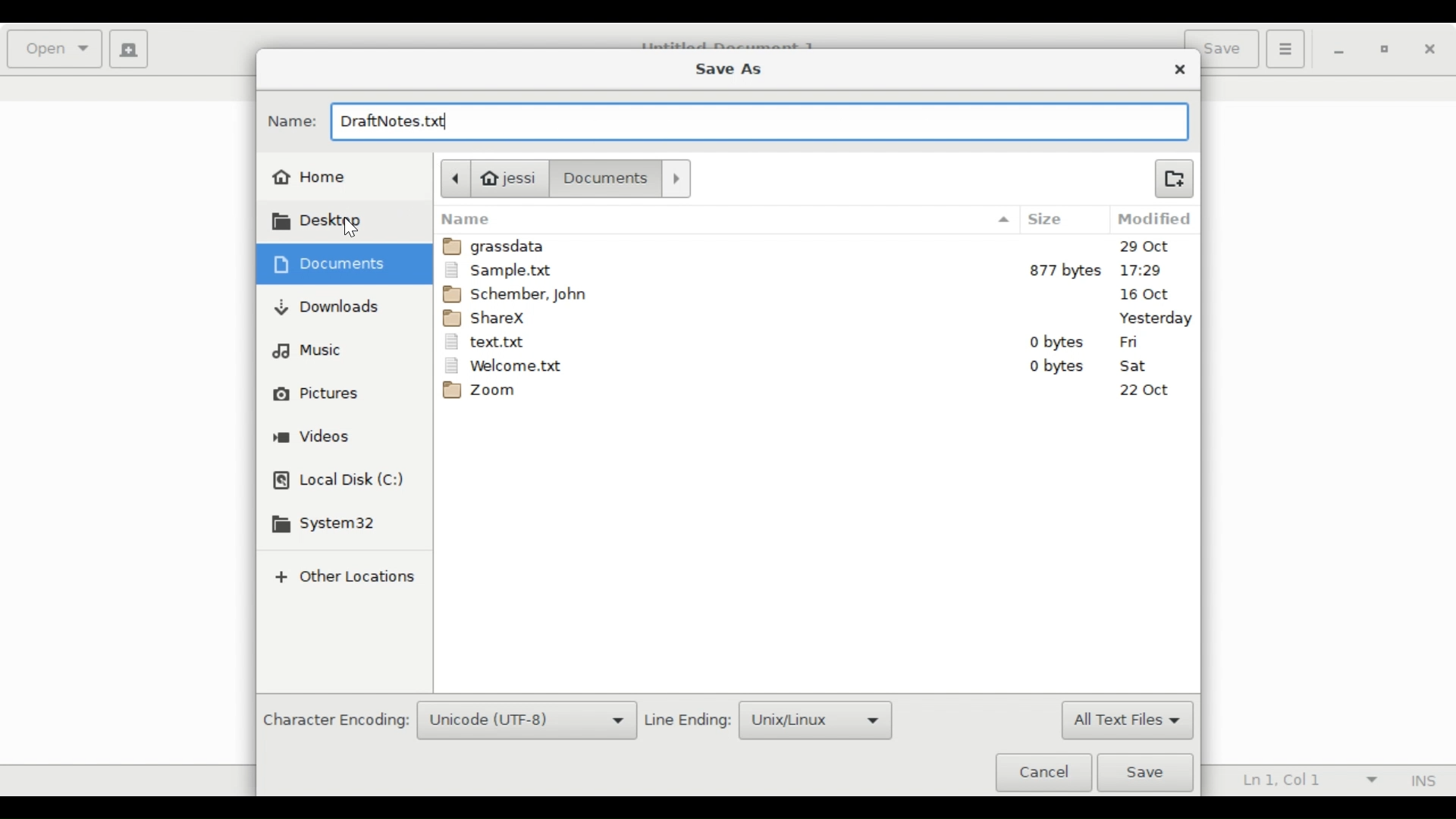  What do you see at coordinates (1285, 48) in the screenshot?
I see `Application menu` at bounding box center [1285, 48].